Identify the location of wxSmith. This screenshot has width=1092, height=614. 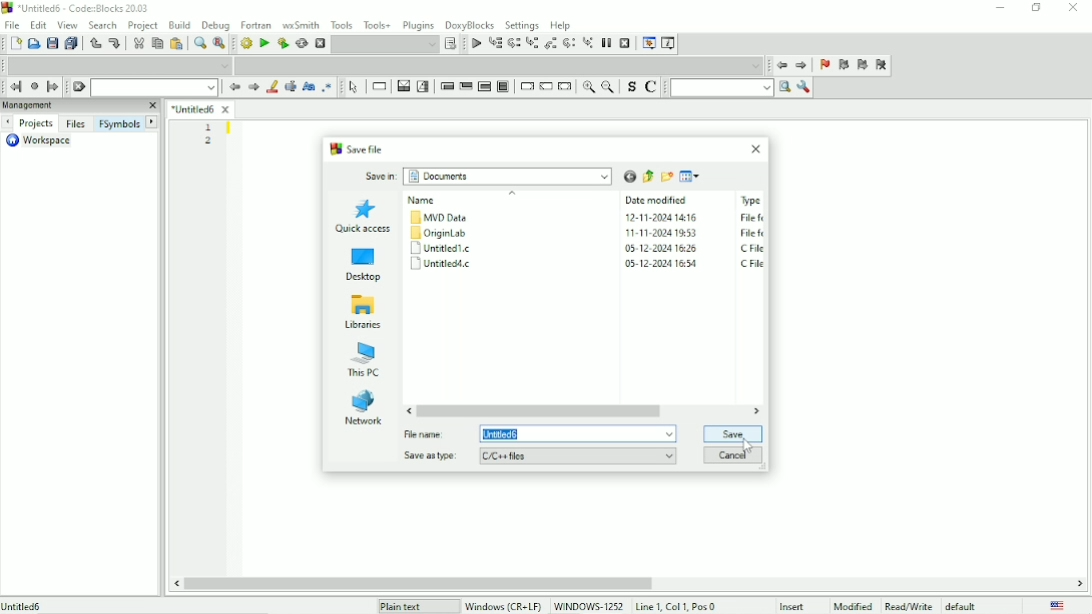
(299, 24).